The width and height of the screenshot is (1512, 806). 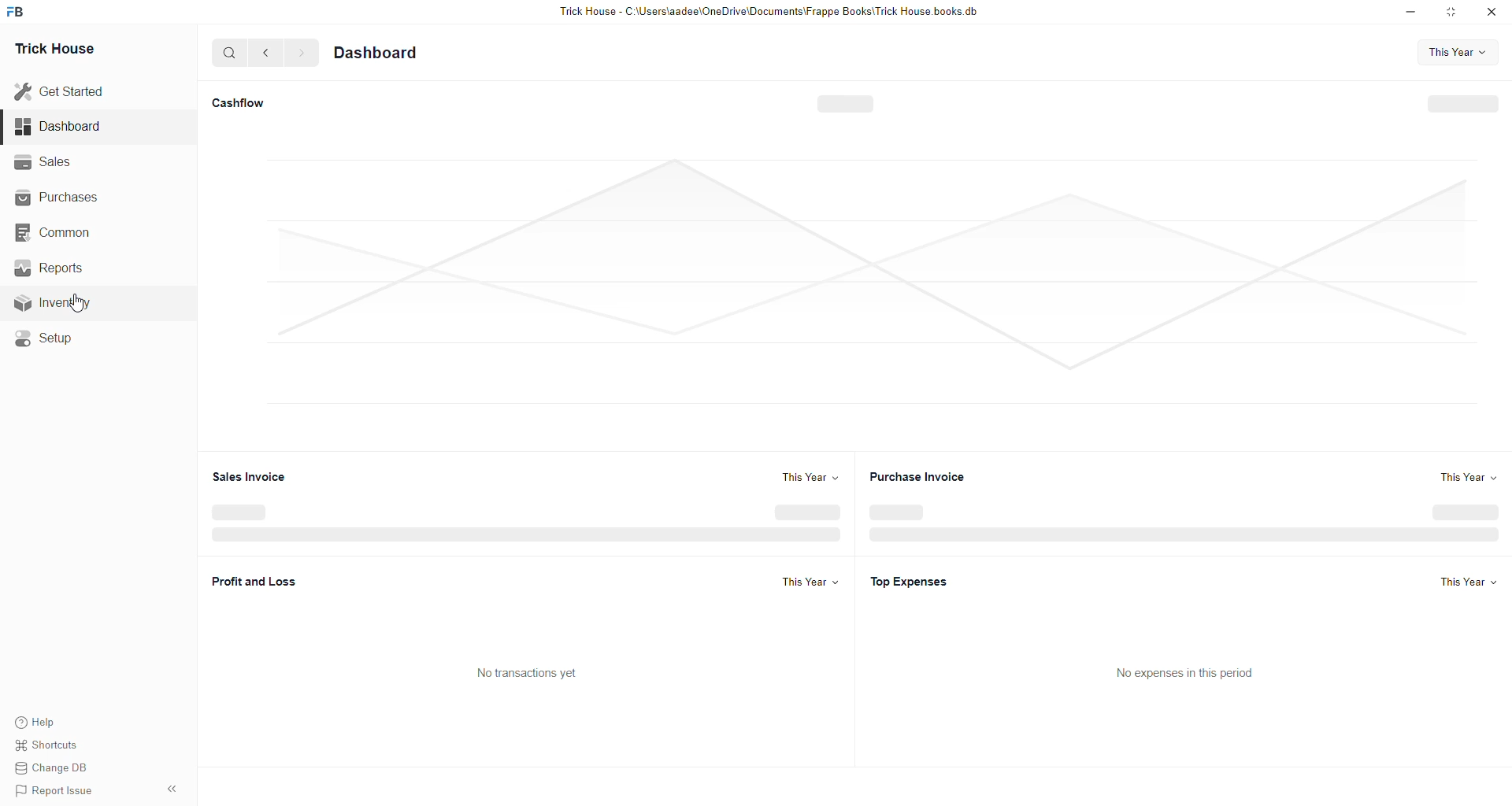 What do you see at coordinates (813, 478) in the screenshot?
I see `This year` at bounding box center [813, 478].